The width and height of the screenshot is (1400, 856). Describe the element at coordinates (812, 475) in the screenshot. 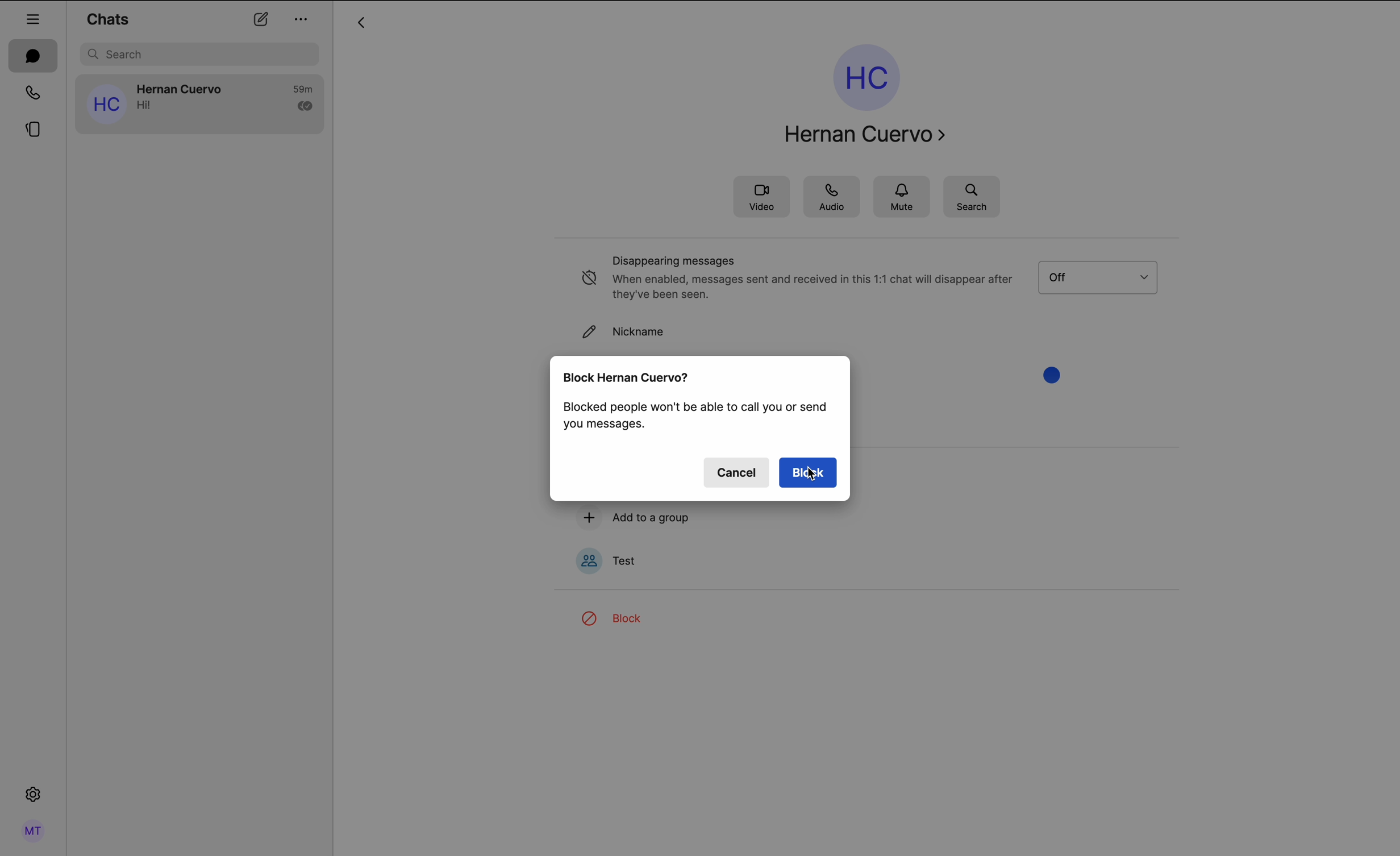

I see `cursor` at that location.